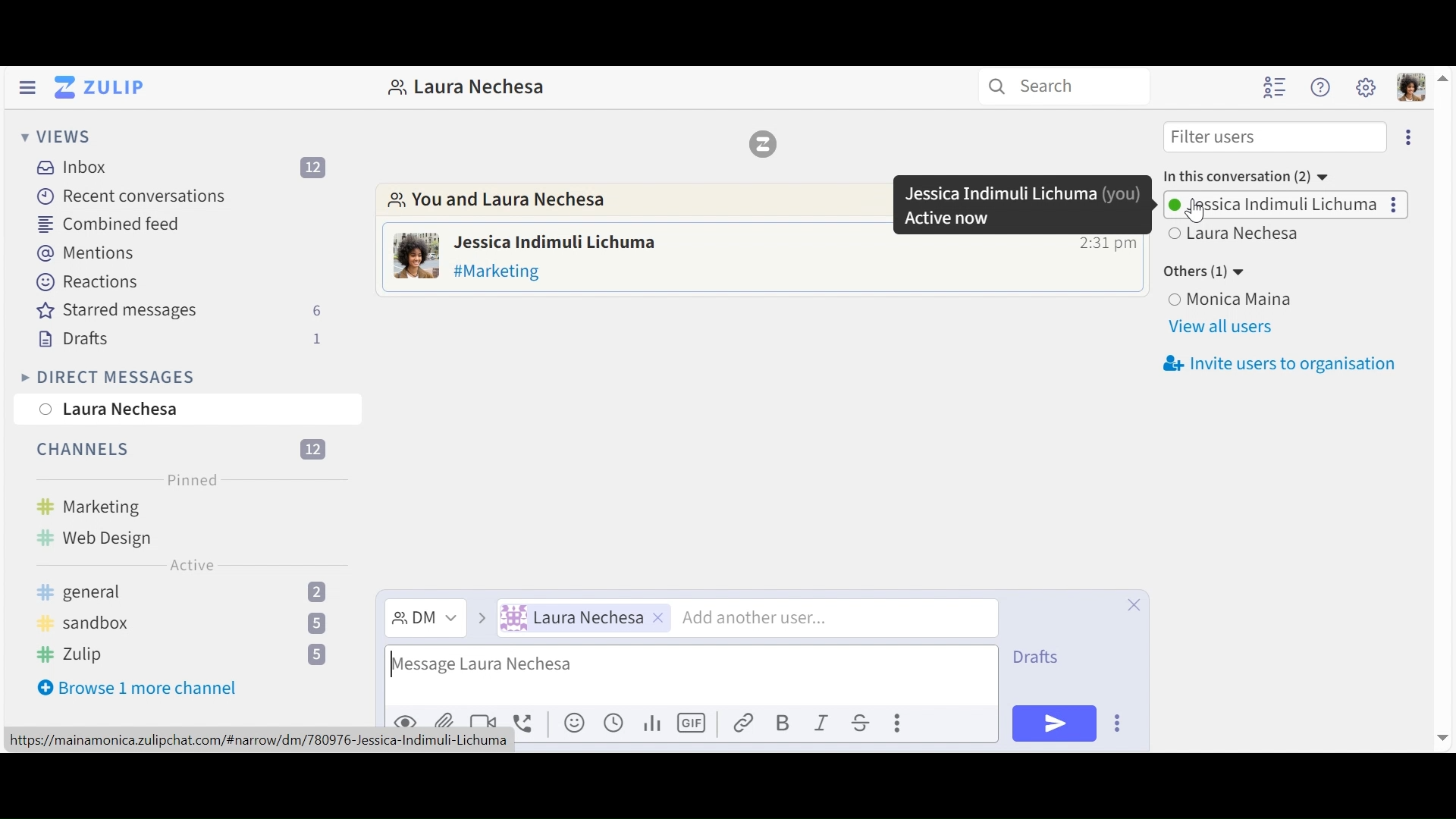 This screenshot has width=1456, height=819. Describe the element at coordinates (105, 224) in the screenshot. I see `Combined feed` at that location.